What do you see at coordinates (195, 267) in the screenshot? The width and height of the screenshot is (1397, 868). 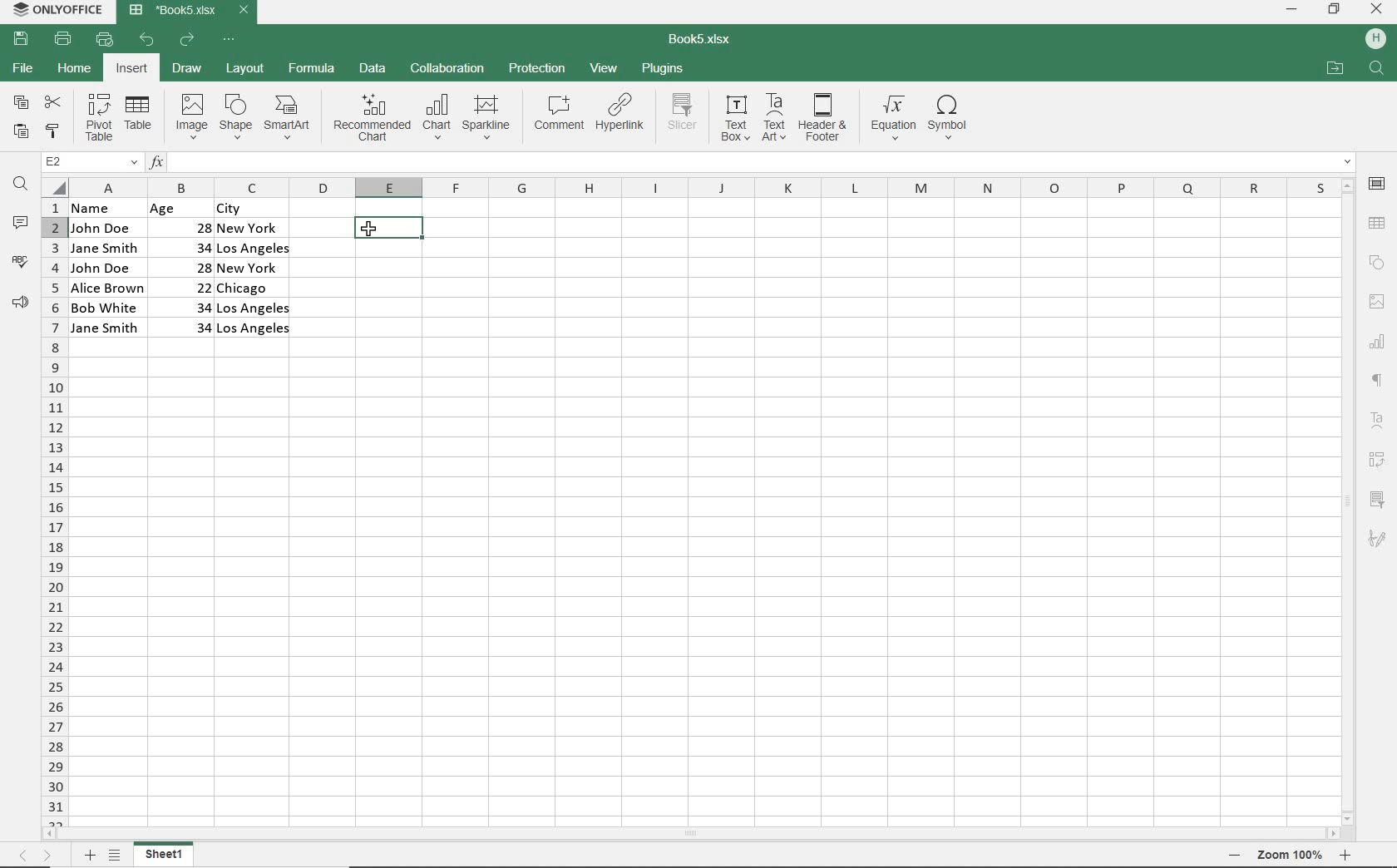 I see `28` at bounding box center [195, 267].